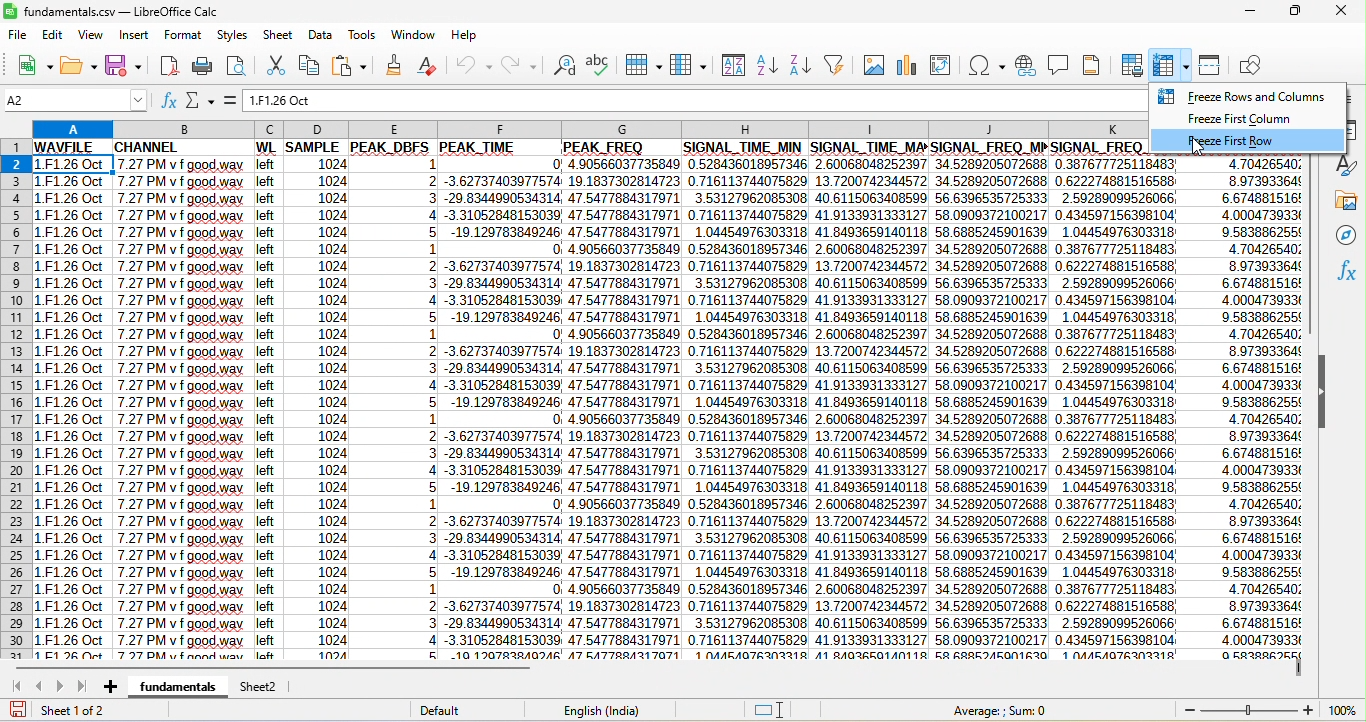 Image resolution: width=1366 pixels, height=722 pixels. Describe the element at coordinates (118, 9) in the screenshot. I see `fundamental csv -libreoffice calc` at that location.